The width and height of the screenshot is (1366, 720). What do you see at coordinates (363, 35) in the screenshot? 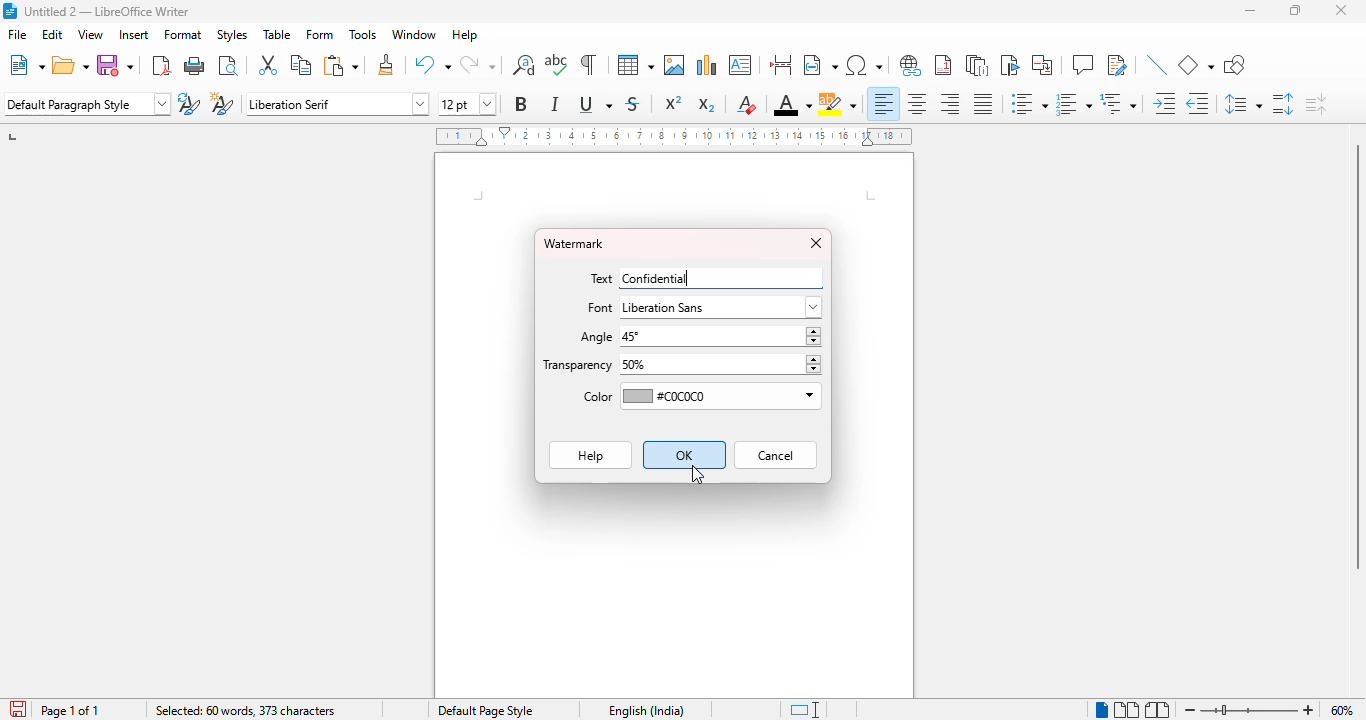
I see `tools` at bounding box center [363, 35].